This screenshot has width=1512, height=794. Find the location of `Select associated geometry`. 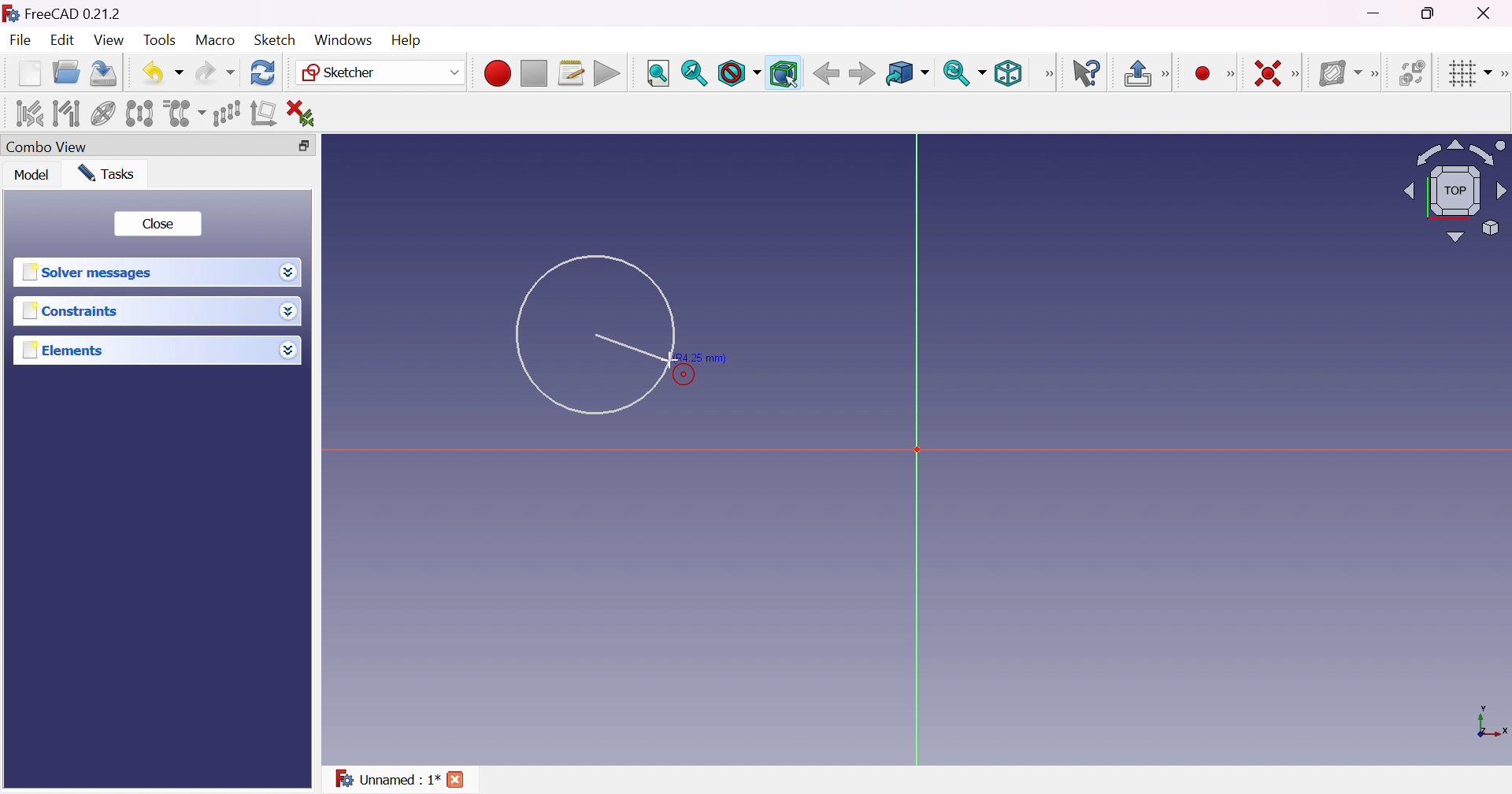

Select associated geometry is located at coordinates (67, 114).